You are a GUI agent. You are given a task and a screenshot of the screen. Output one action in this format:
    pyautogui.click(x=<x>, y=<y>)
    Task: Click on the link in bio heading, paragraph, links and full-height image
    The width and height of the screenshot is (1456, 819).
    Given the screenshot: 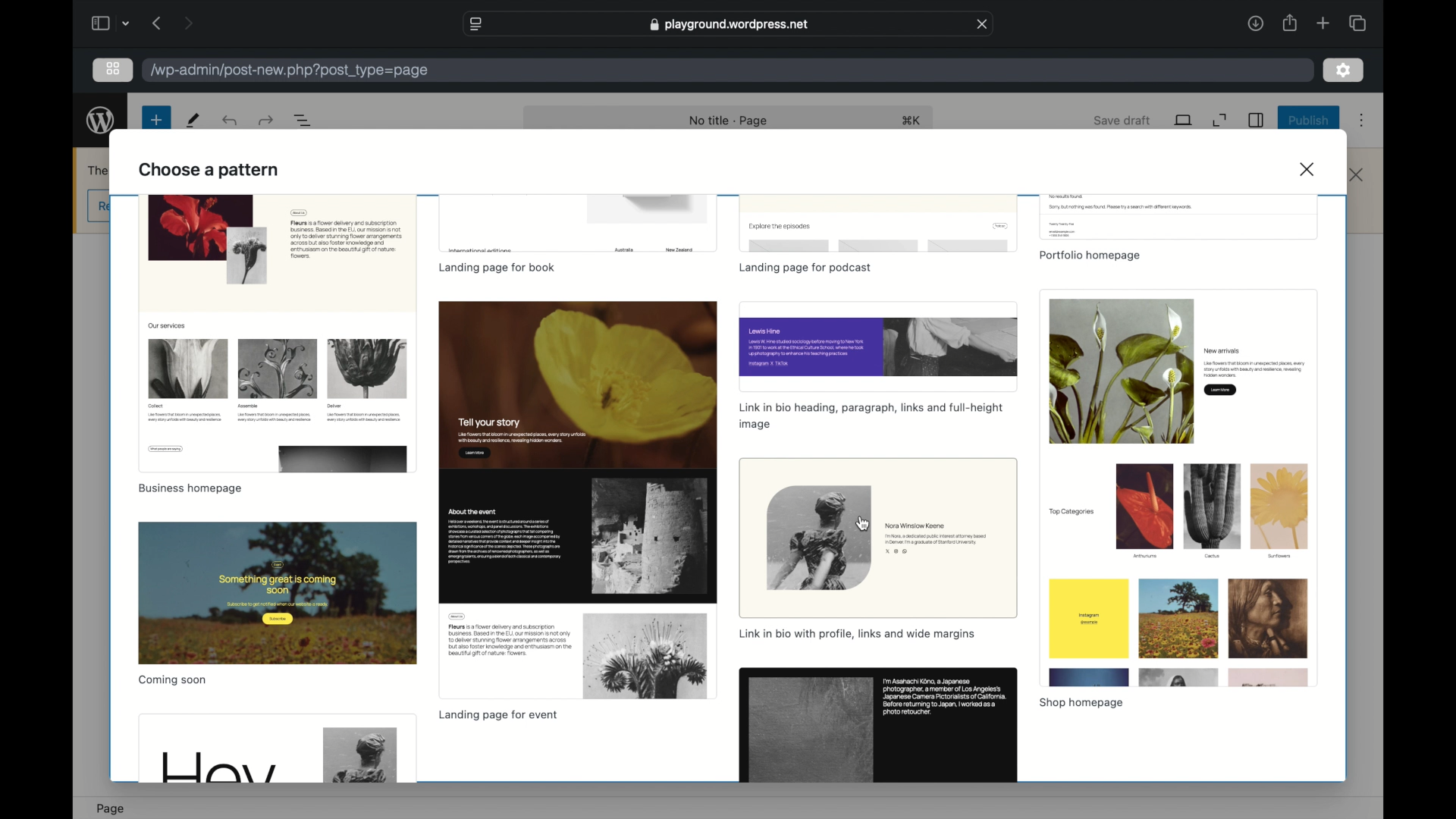 What is the action you would take?
    pyautogui.click(x=871, y=416)
    